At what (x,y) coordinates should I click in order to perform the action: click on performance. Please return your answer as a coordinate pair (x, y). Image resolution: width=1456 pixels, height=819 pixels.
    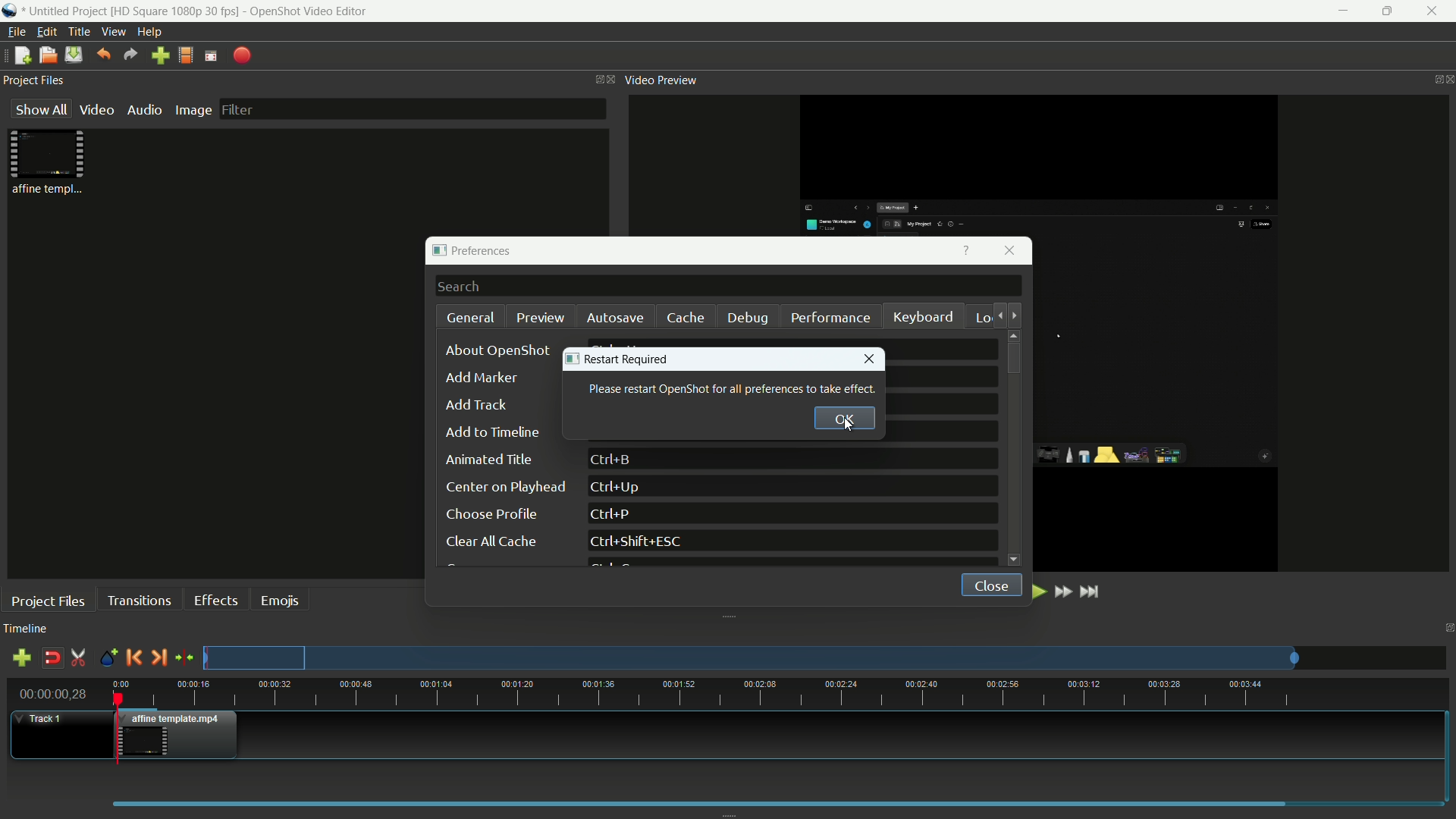
    Looking at the image, I should click on (830, 317).